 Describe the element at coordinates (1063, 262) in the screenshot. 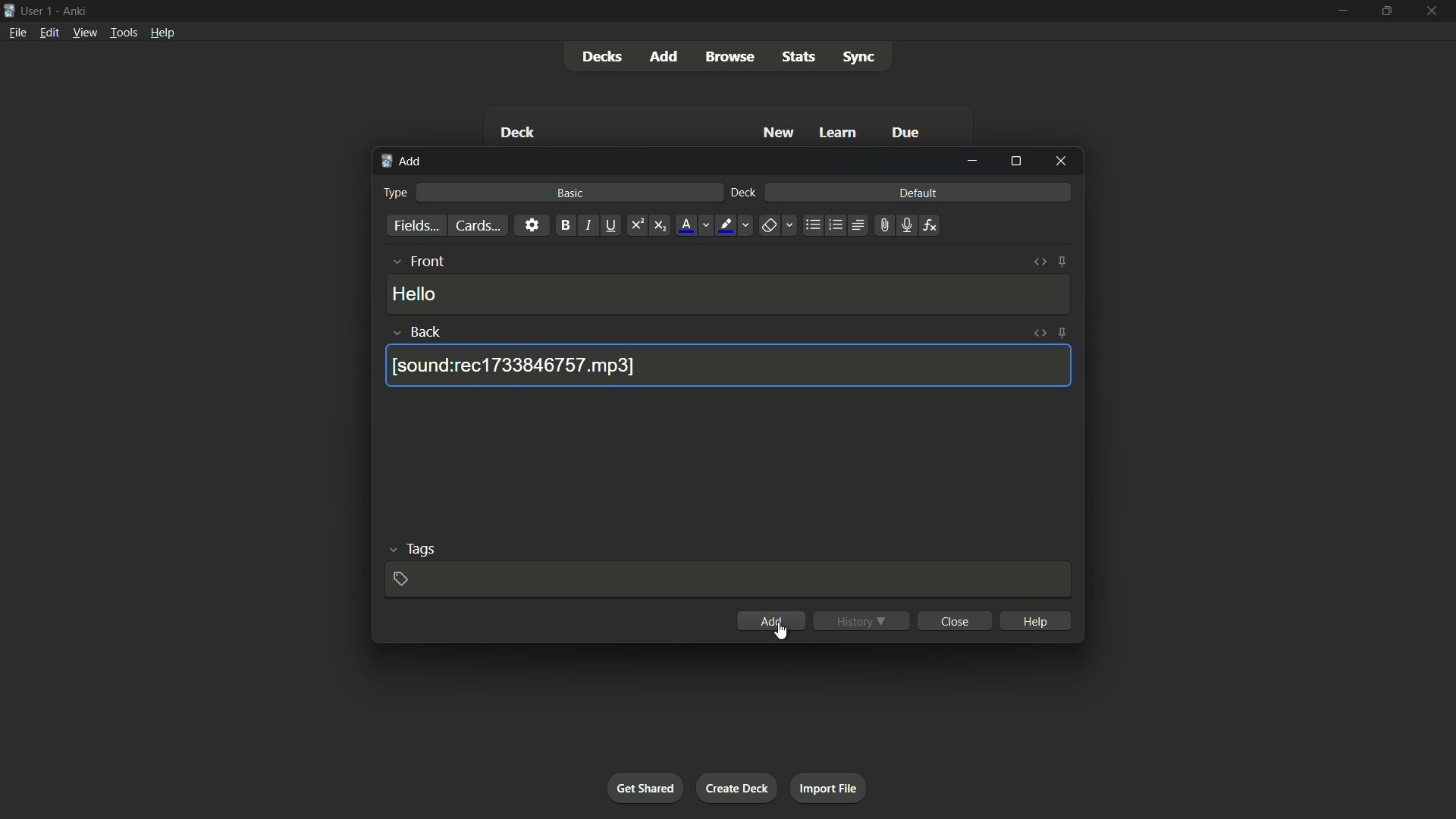

I see `toggle sticky` at that location.